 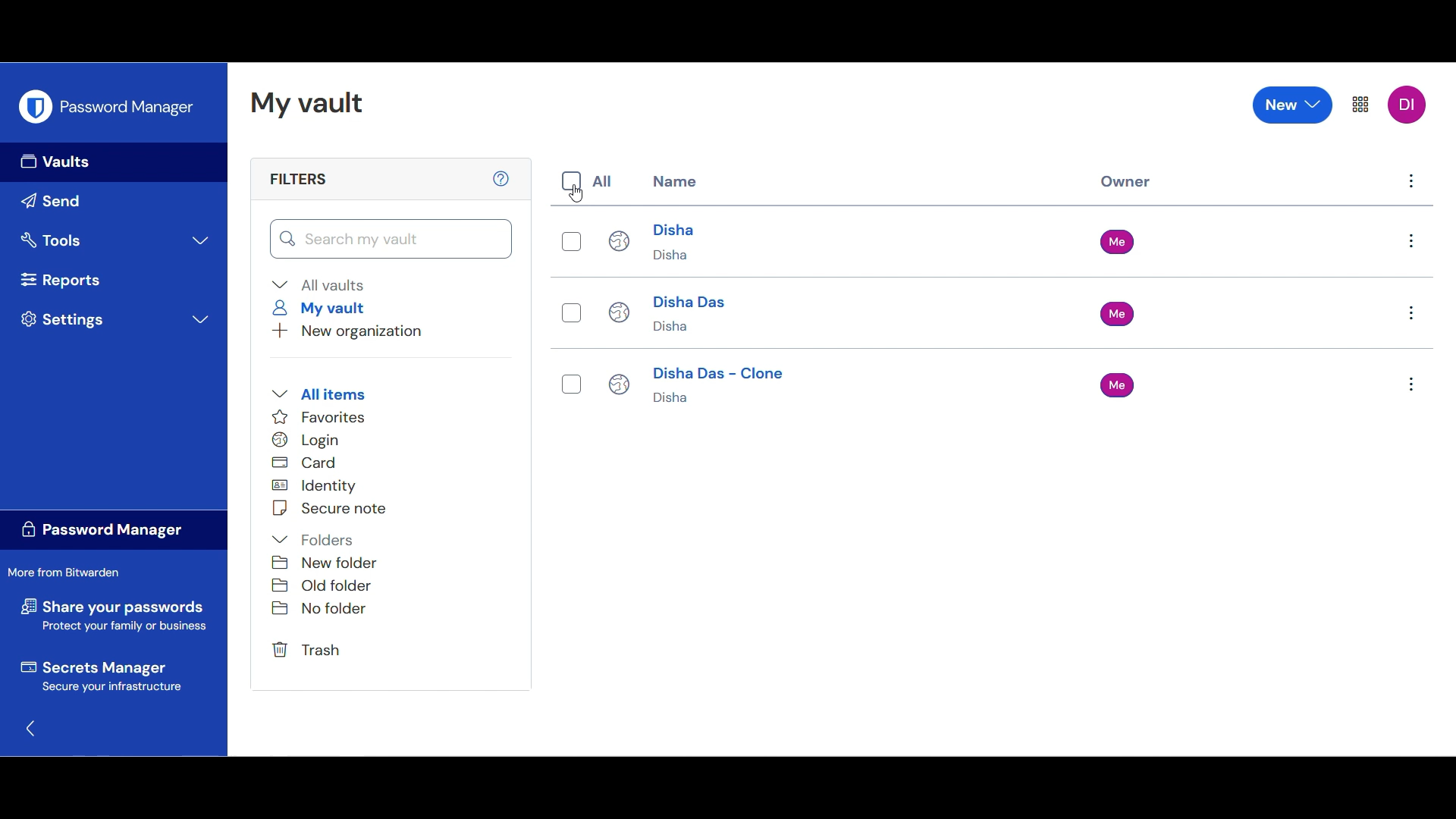 I want to click on Favorites, so click(x=319, y=417).